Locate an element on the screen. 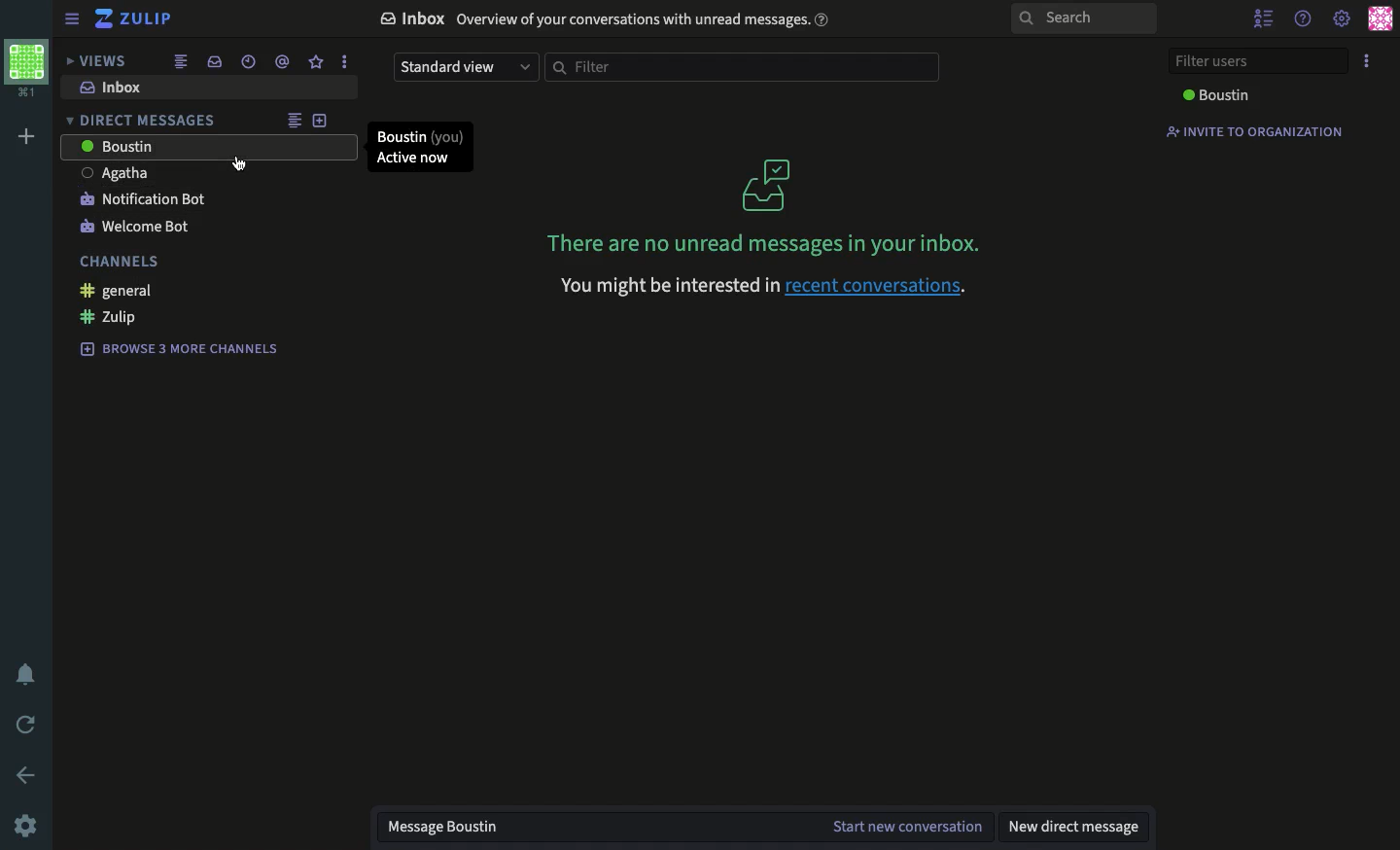  refresh is located at coordinates (27, 725).